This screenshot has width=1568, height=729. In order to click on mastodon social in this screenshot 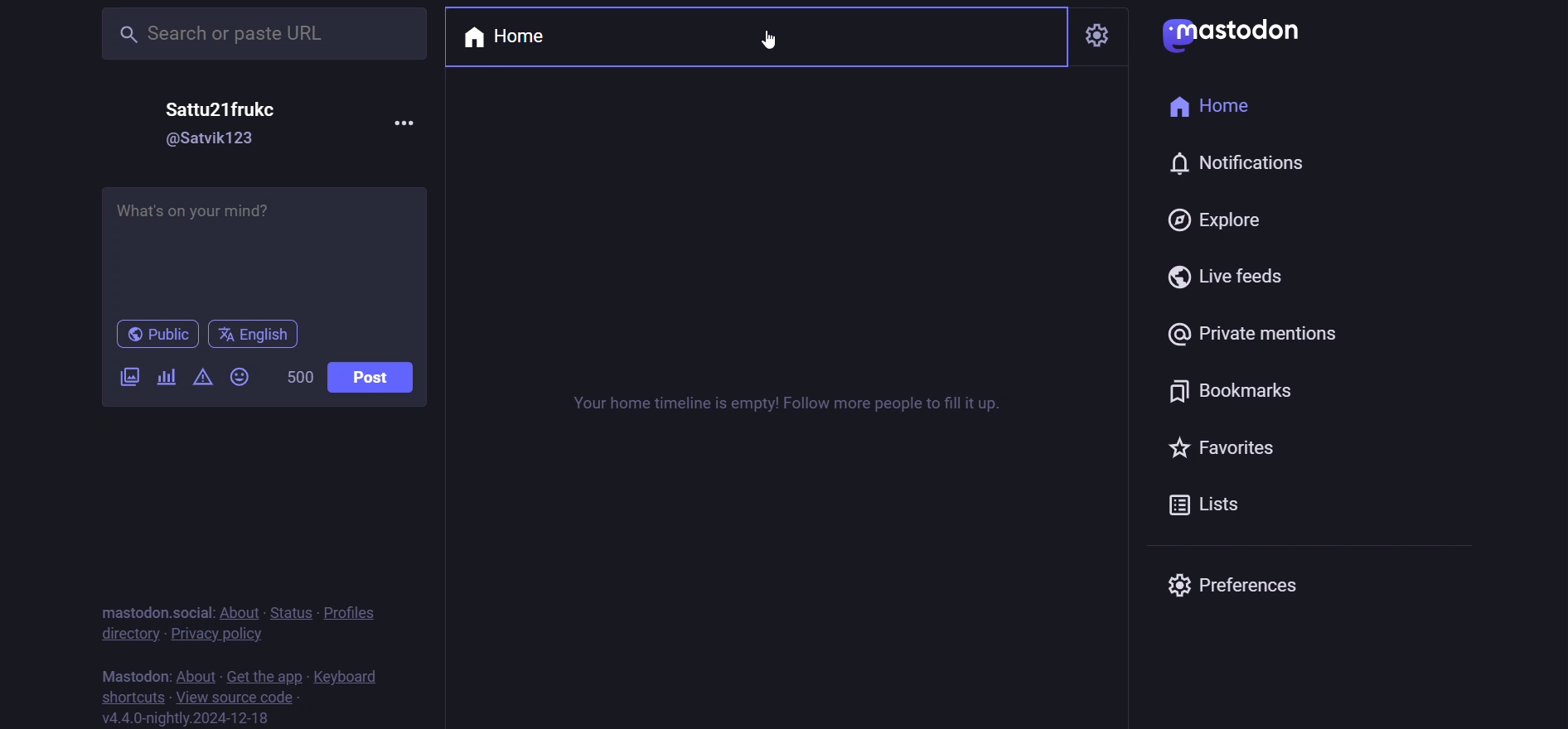, I will do `click(157, 608)`.